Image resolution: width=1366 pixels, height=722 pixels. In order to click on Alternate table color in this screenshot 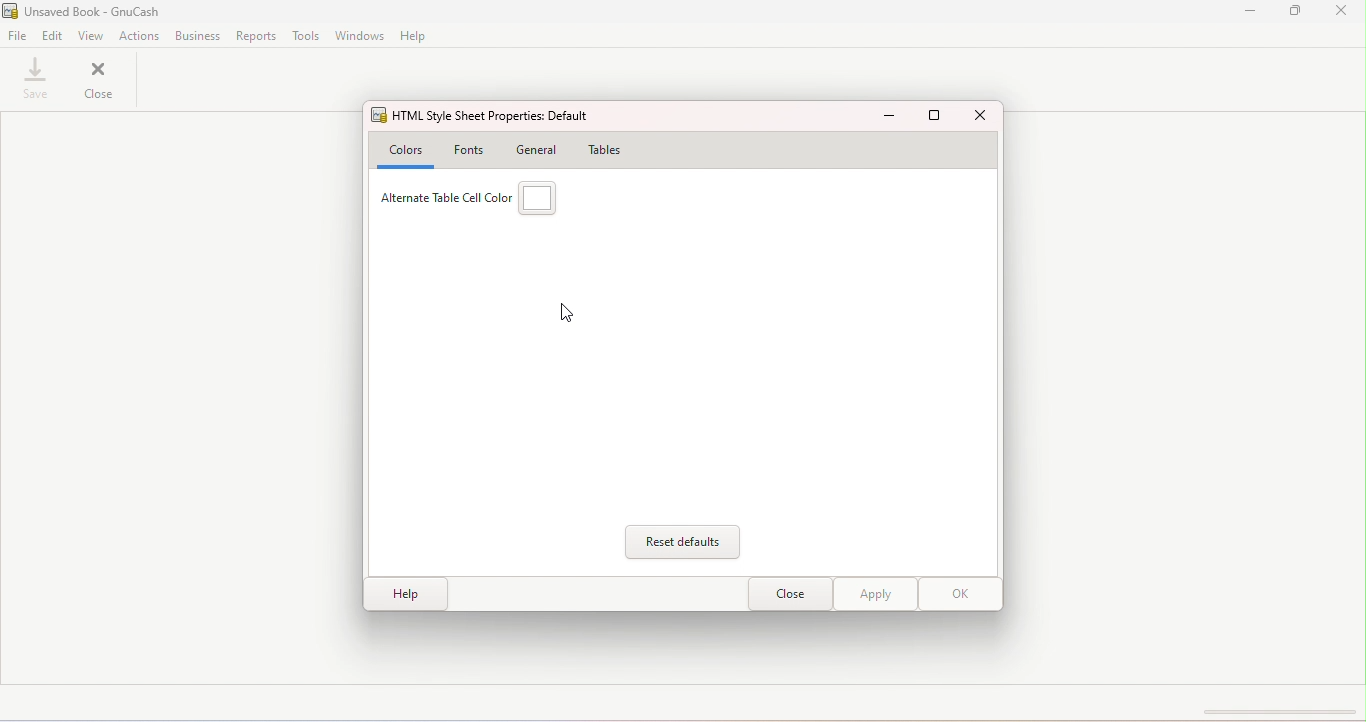, I will do `click(447, 199)`.